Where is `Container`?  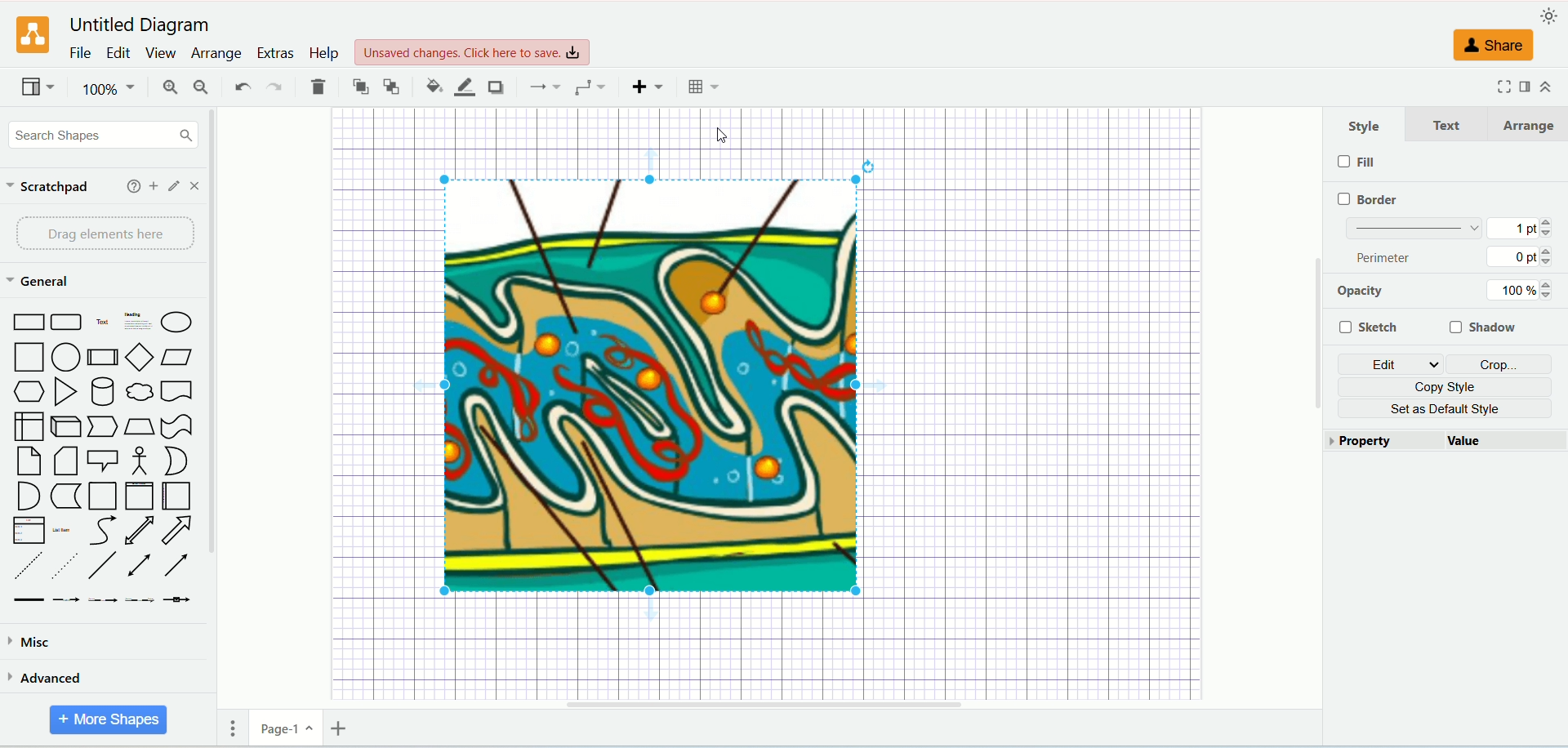 Container is located at coordinates (104, 496).